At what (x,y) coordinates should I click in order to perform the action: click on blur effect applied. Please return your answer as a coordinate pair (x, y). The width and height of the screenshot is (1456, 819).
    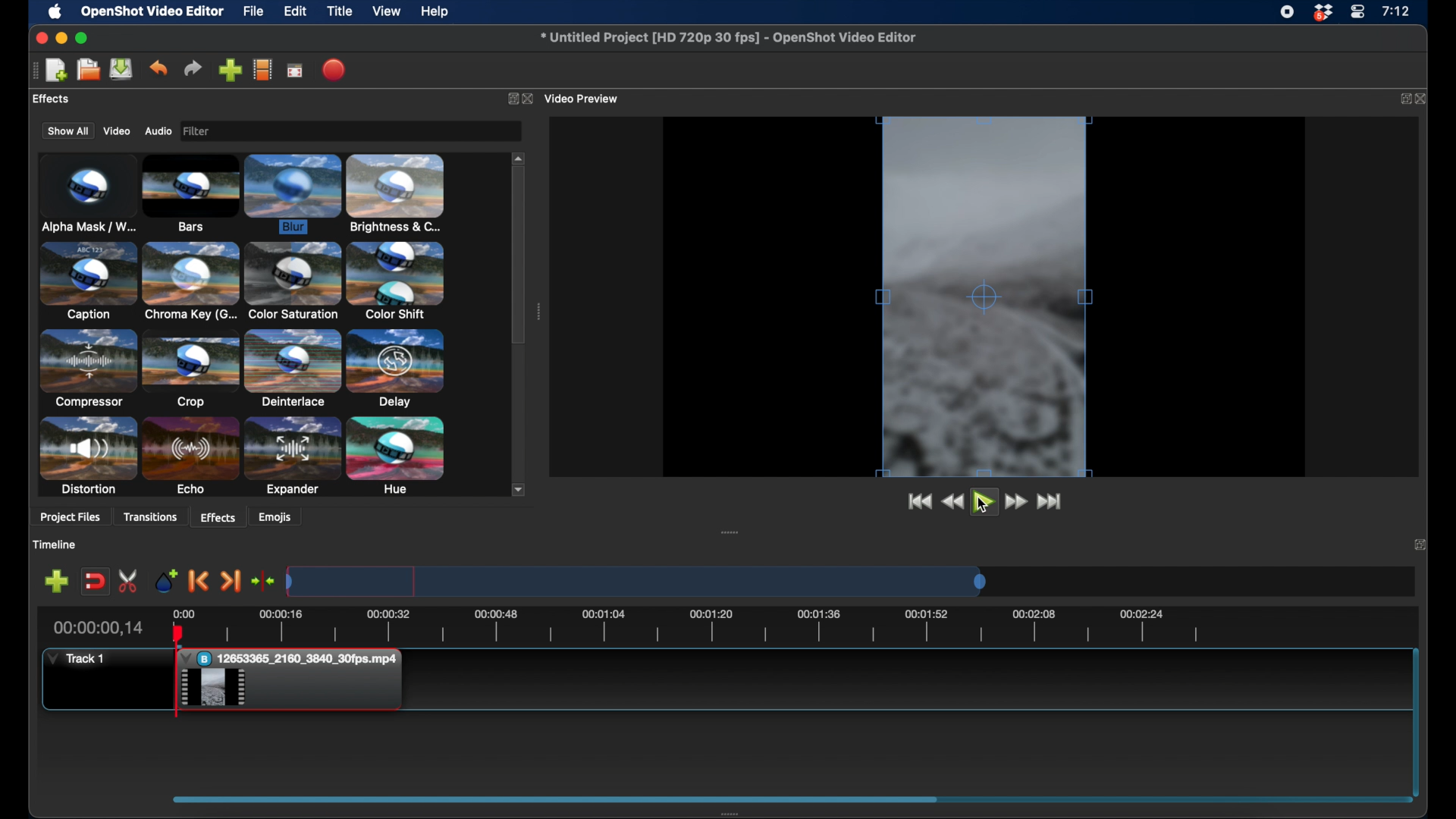
    Looking at the image, I should click on (984, 295).